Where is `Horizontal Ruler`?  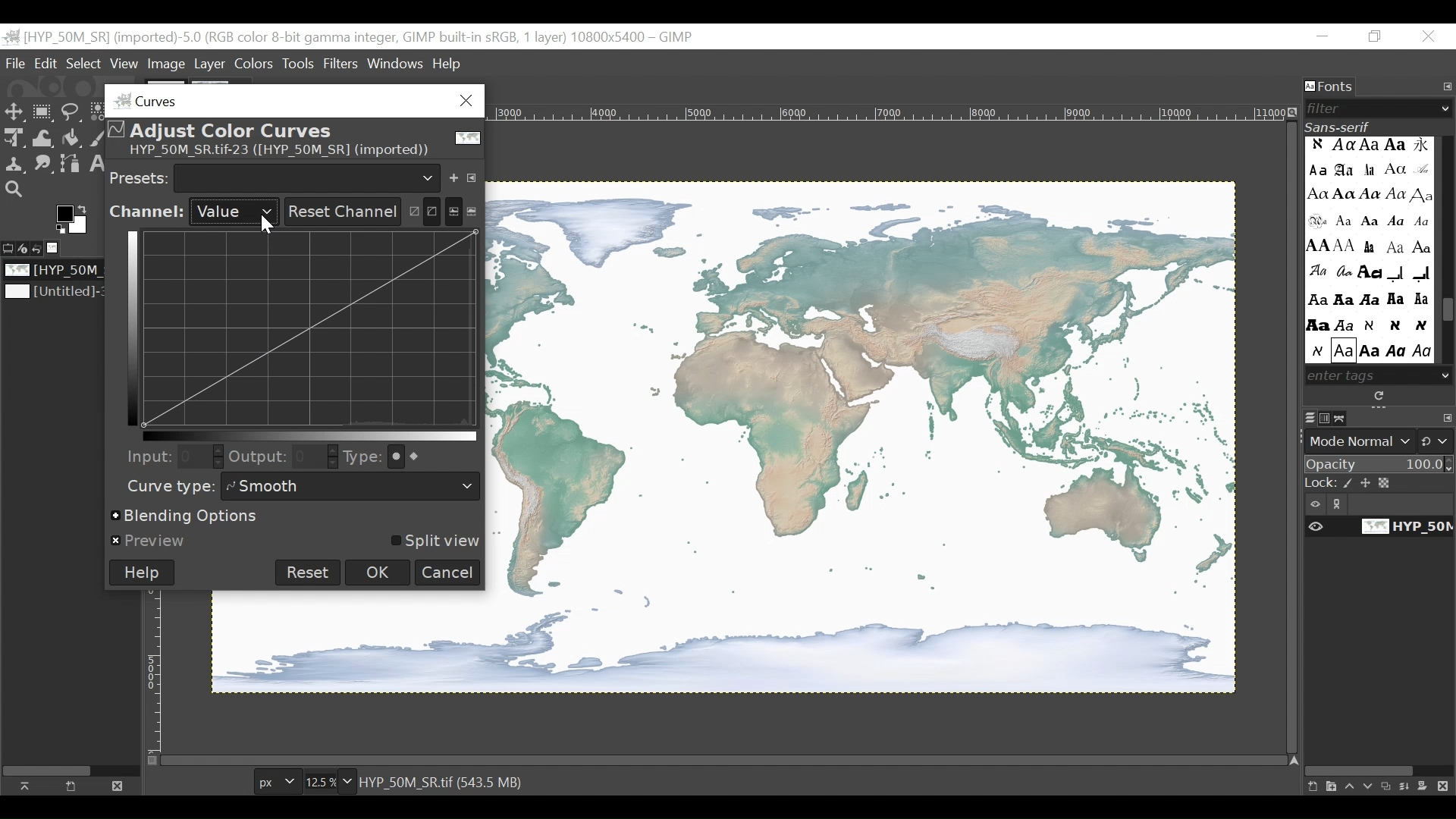 Horizontal Ruler is located at coordinates (889, 111).